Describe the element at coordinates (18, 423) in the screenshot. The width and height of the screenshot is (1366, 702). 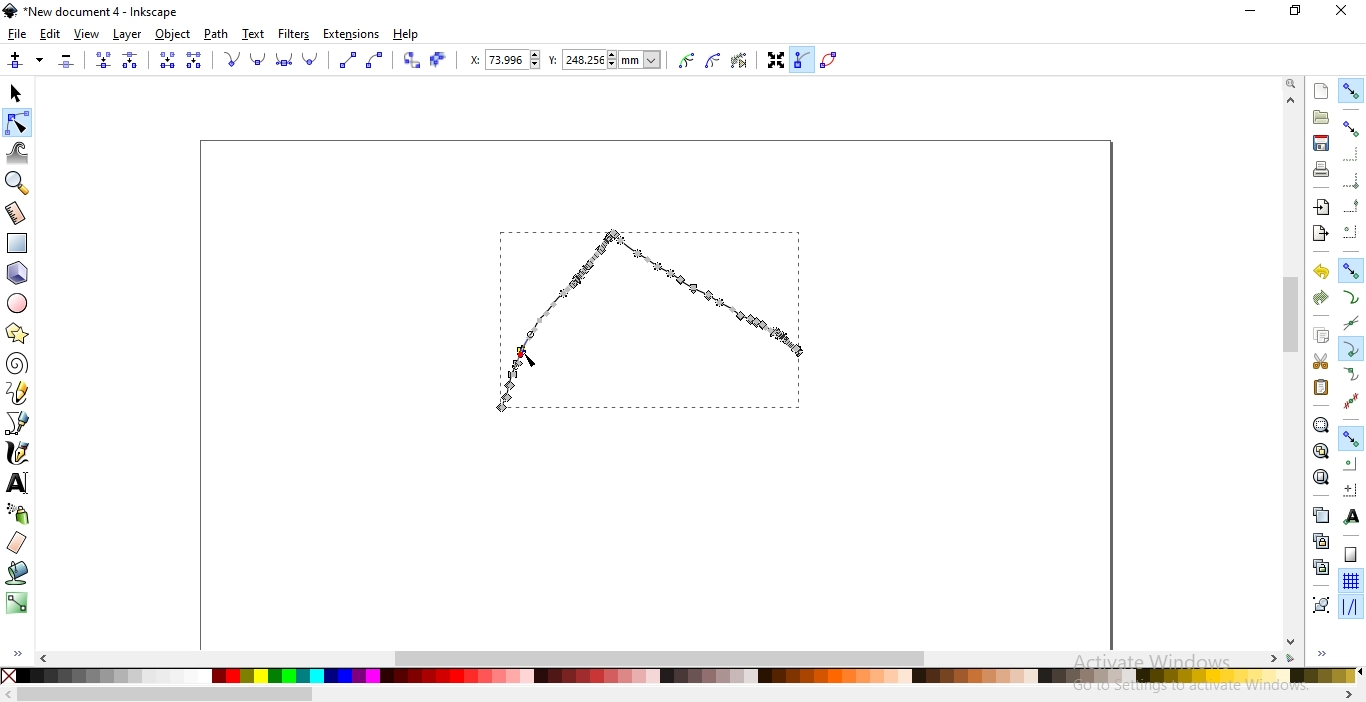
I see `draw bezier lines and straight lines` at that location.